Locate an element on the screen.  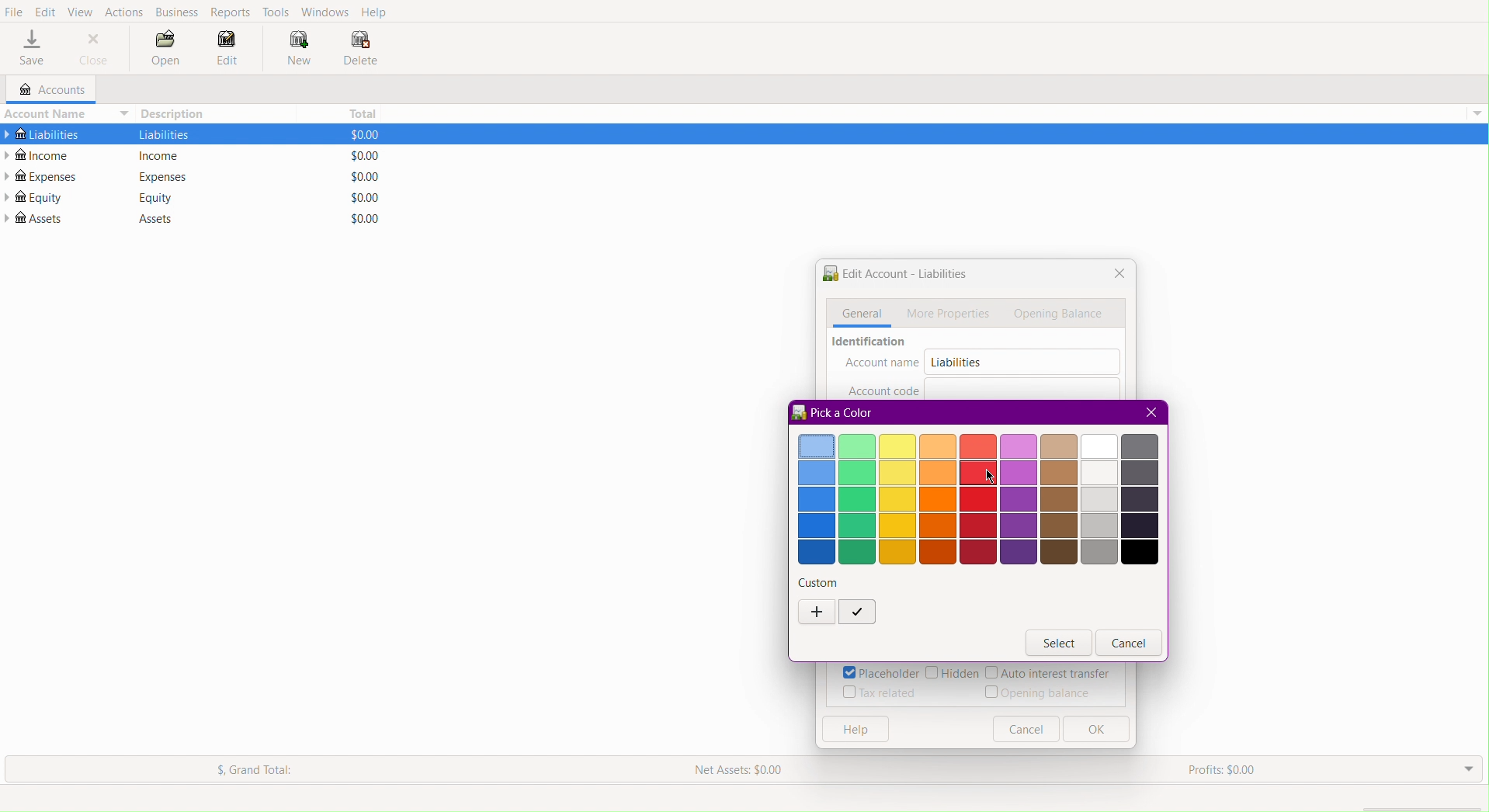
Open is located at coordinates (166, 50).